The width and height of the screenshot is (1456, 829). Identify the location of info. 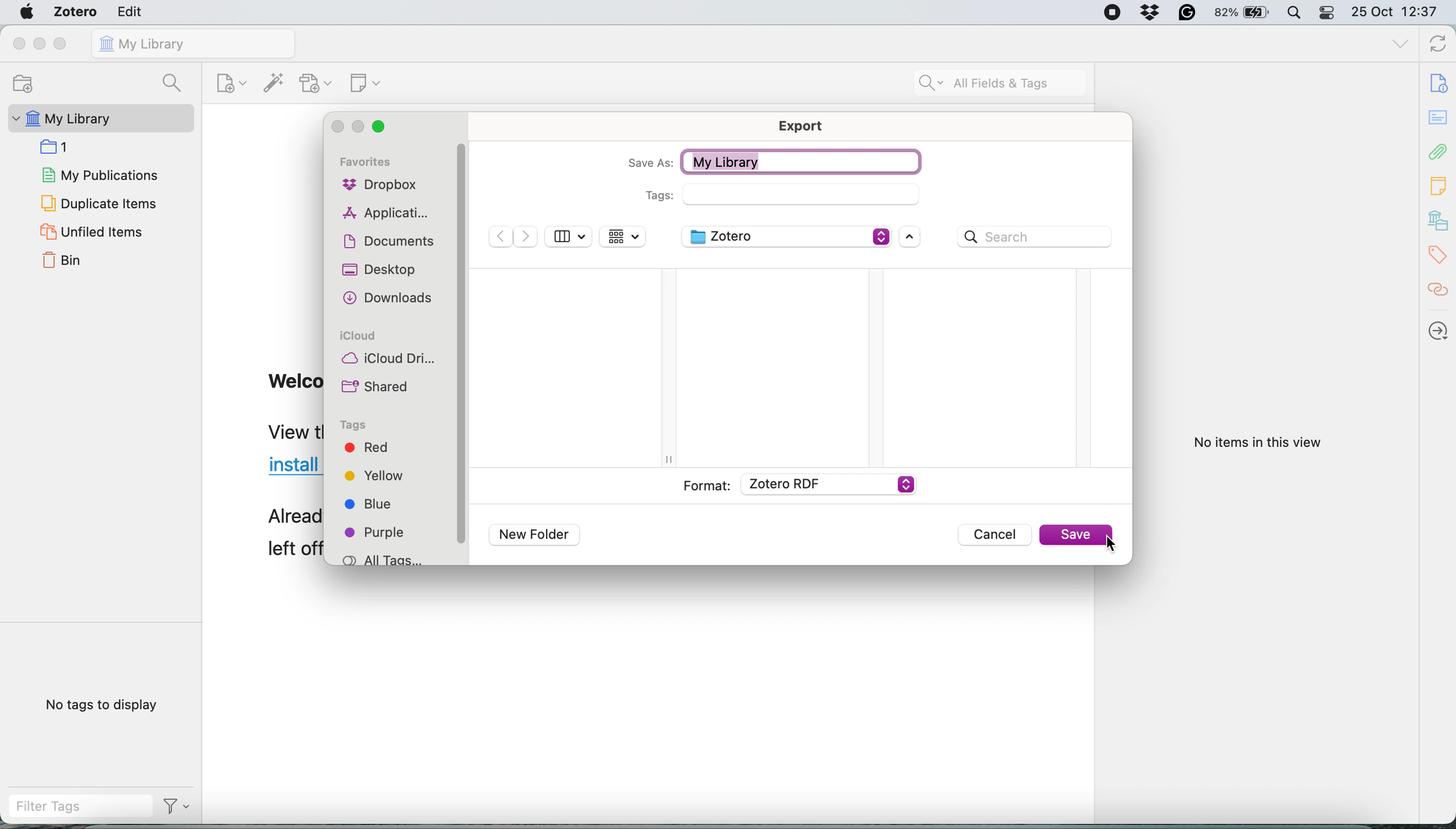
(1441, 84).